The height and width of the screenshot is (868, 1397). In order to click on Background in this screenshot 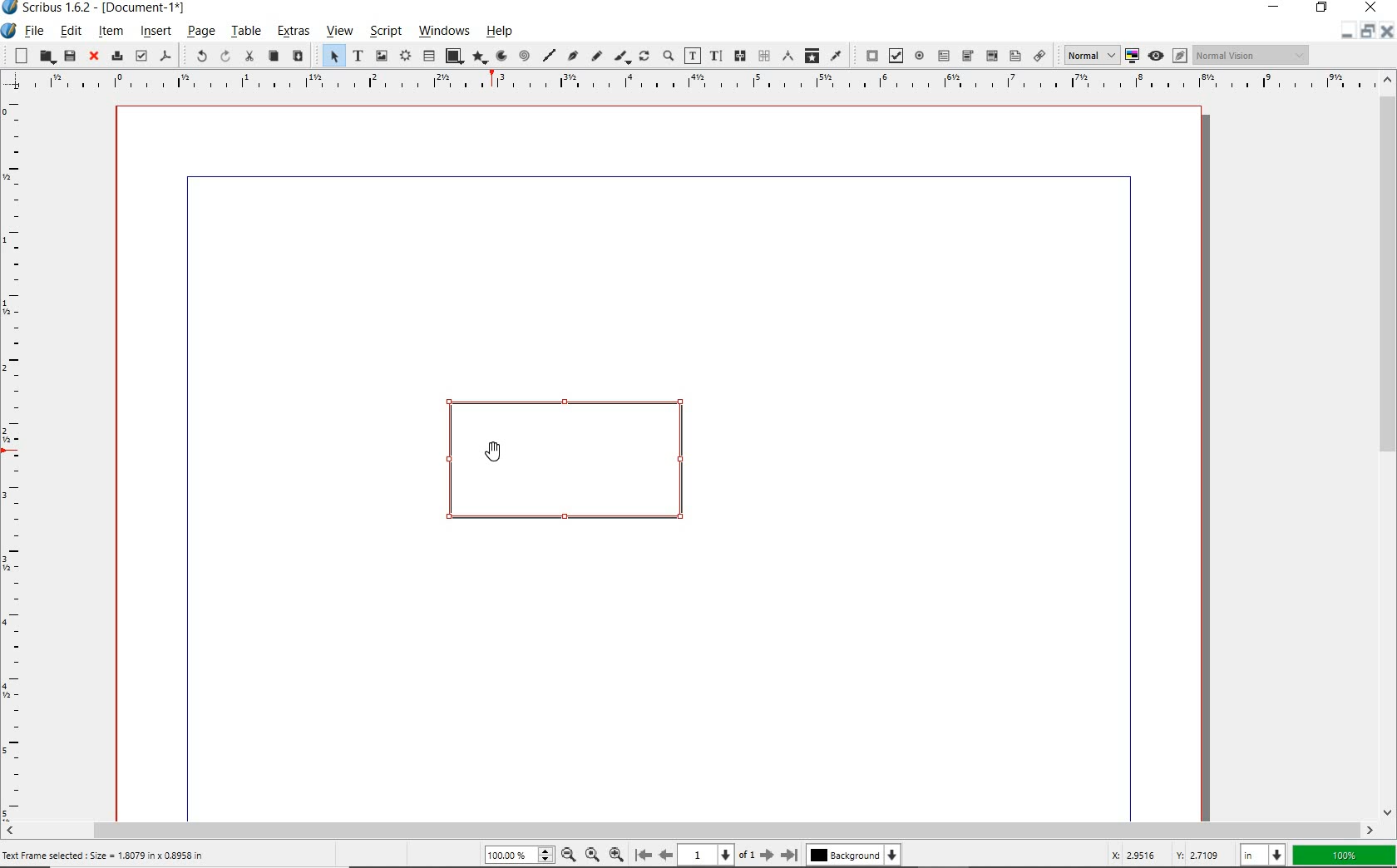, I will do `click(853, 856)`.